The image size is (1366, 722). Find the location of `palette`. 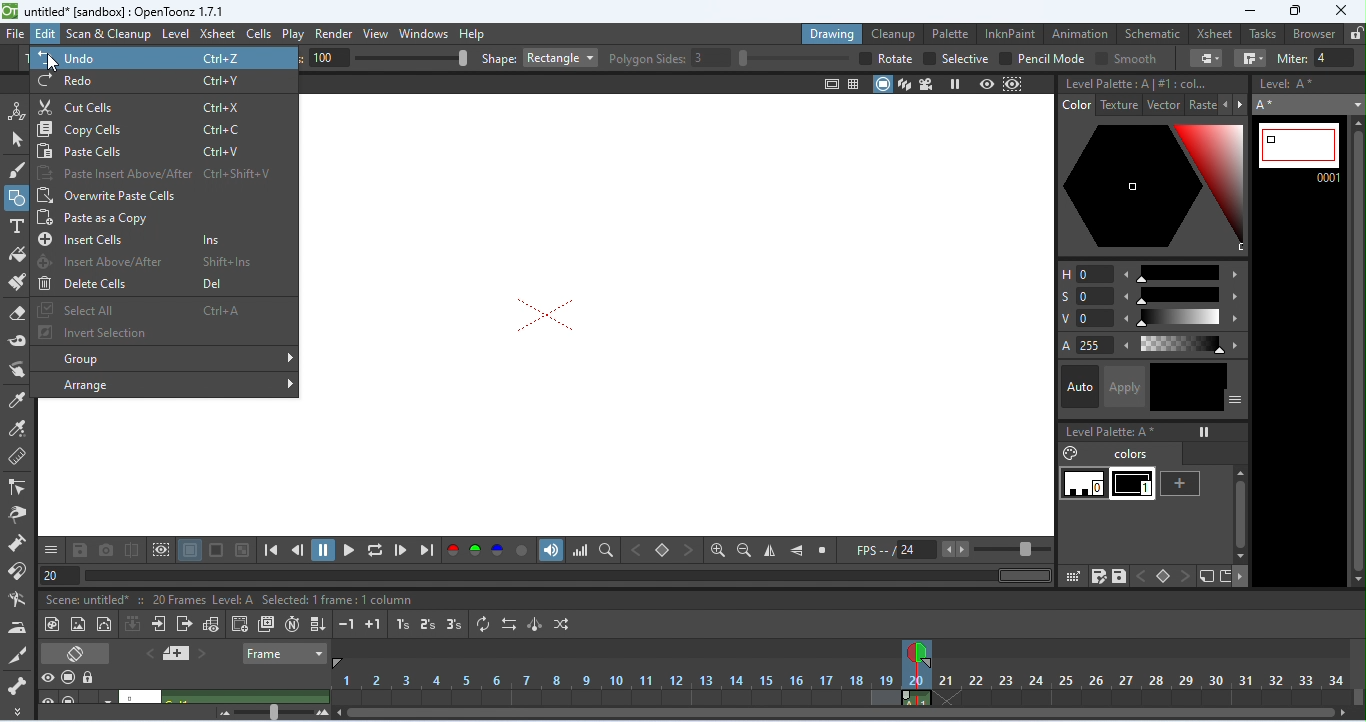

palette is located at coordinates (948, 33).